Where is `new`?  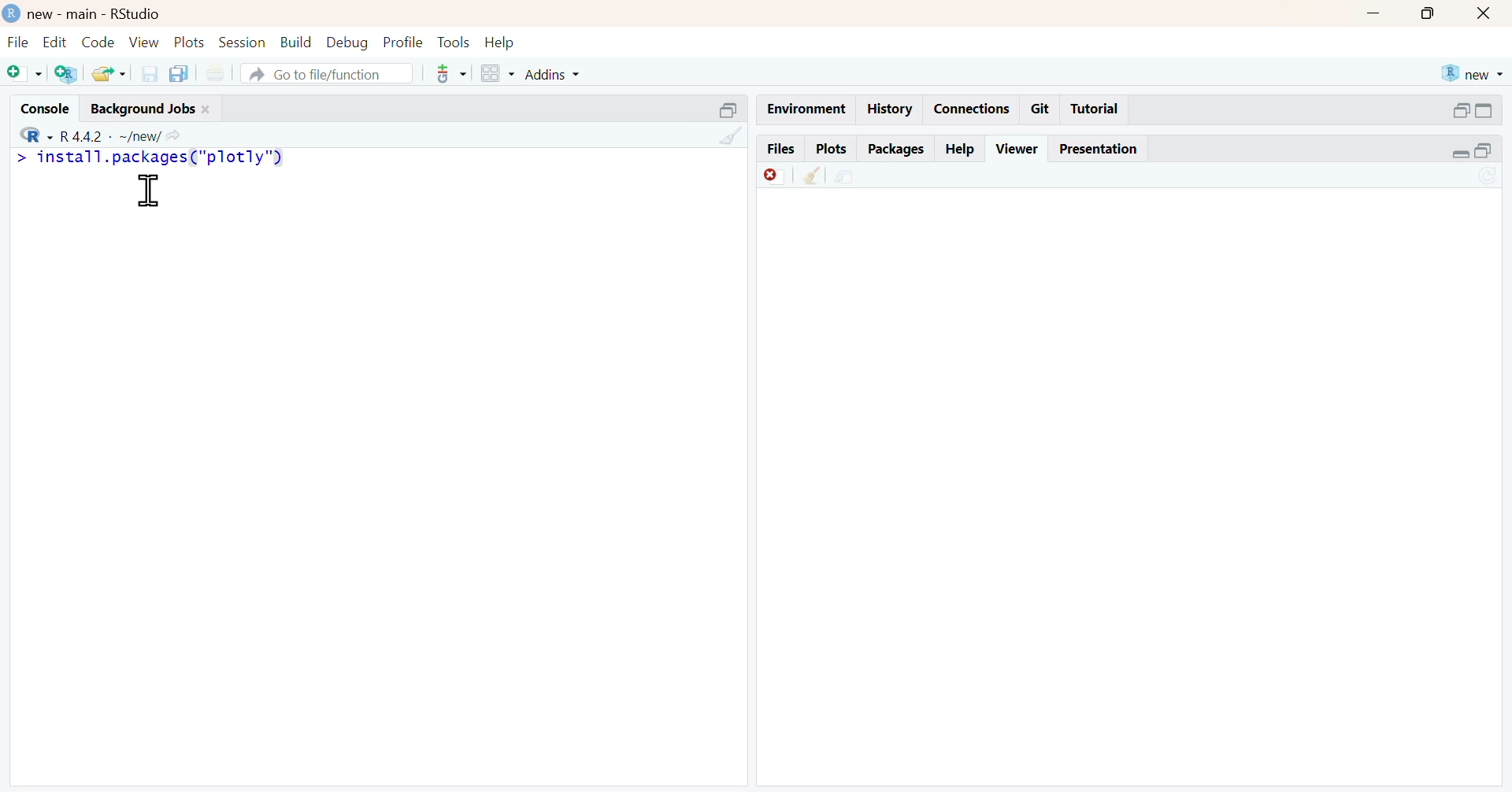 new is located at coordinates (1472, 73).